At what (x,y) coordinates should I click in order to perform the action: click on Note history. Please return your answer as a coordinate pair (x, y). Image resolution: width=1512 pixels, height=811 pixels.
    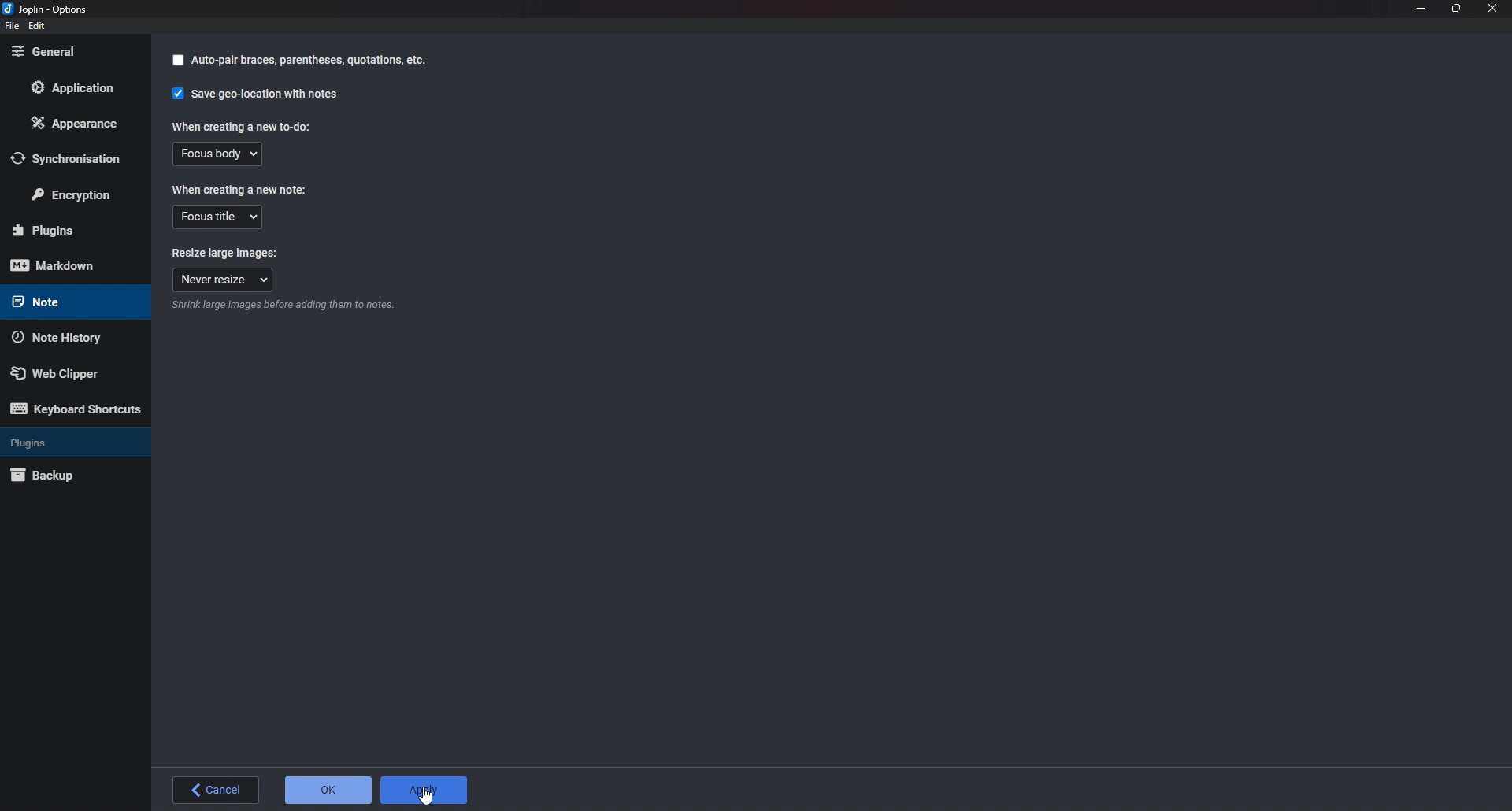
    Looking at the image, I should click on (66, 339).